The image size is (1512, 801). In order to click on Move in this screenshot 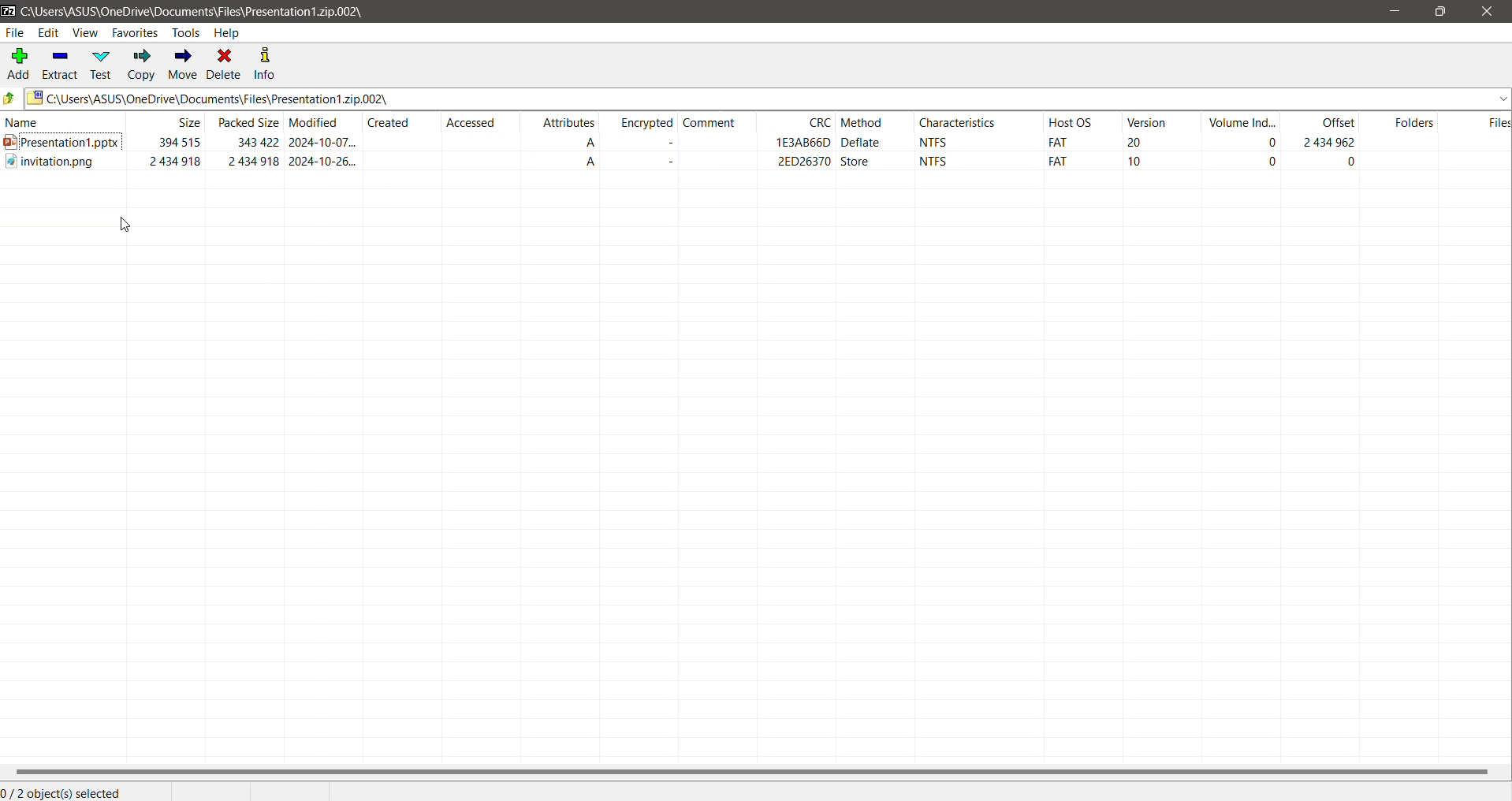, I will do `click(181, 65)`.